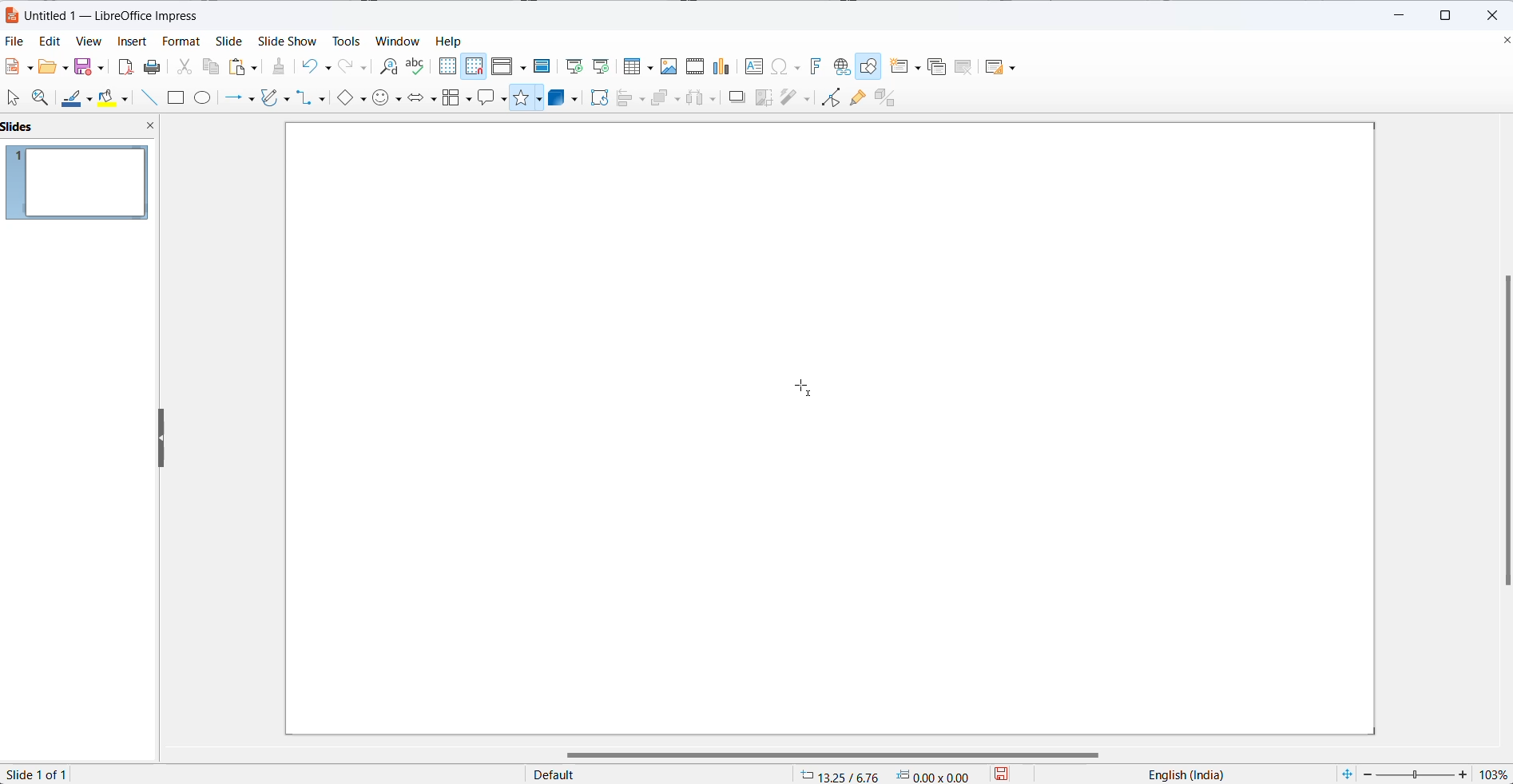 The width and height of the screenshot is (1513, 784). What do you see at coordinates (1498, 434) in the screenshot?
I see `scrollbar` at bounding box center [1498, 434].